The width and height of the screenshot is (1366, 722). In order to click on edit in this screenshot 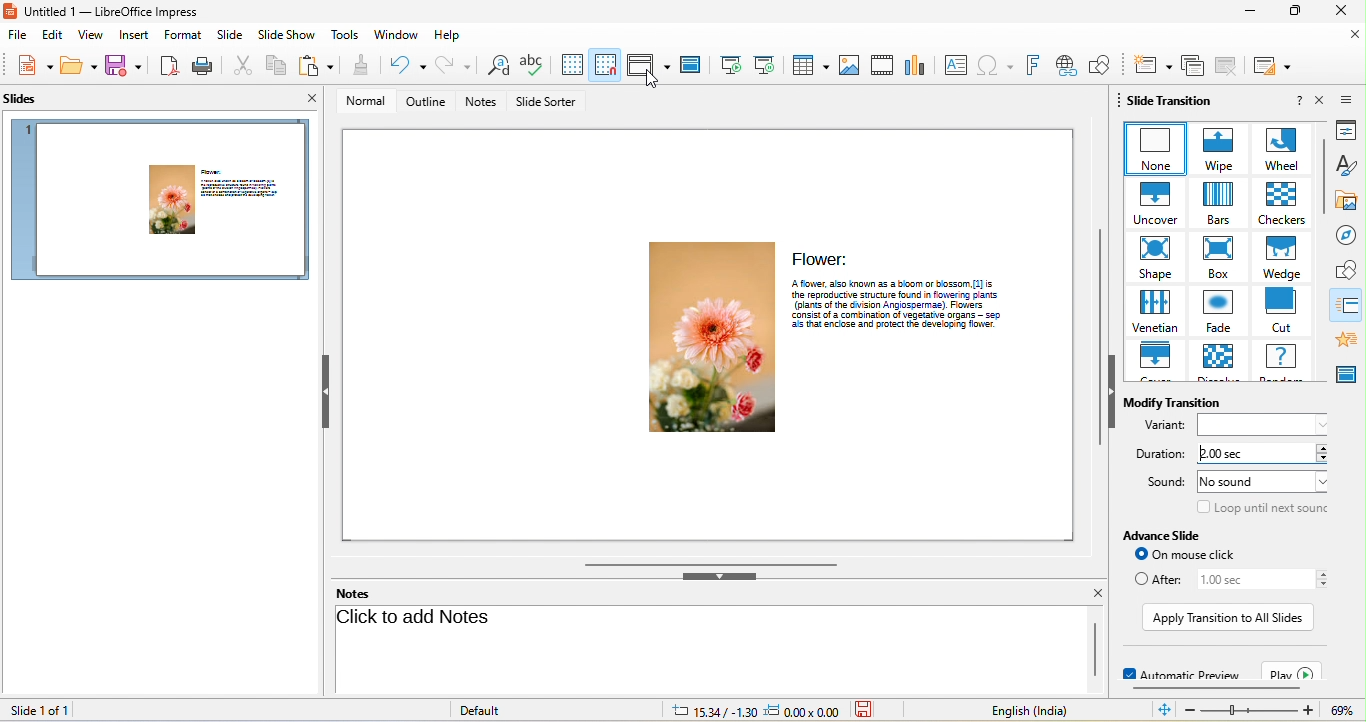, I will do `click(52, 35)`.